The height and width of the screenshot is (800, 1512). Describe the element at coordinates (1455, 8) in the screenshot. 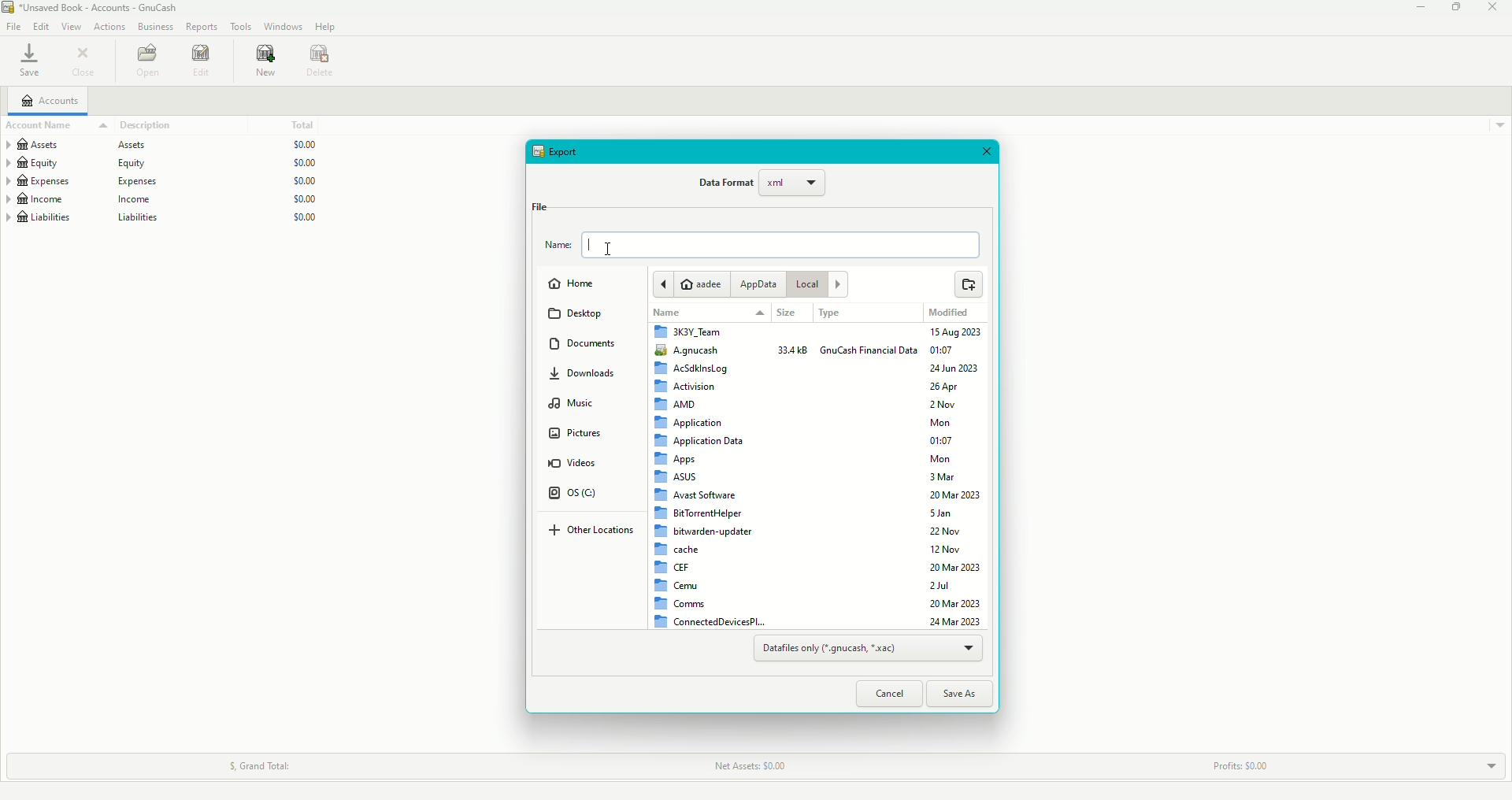

I see `Restore` at that location.